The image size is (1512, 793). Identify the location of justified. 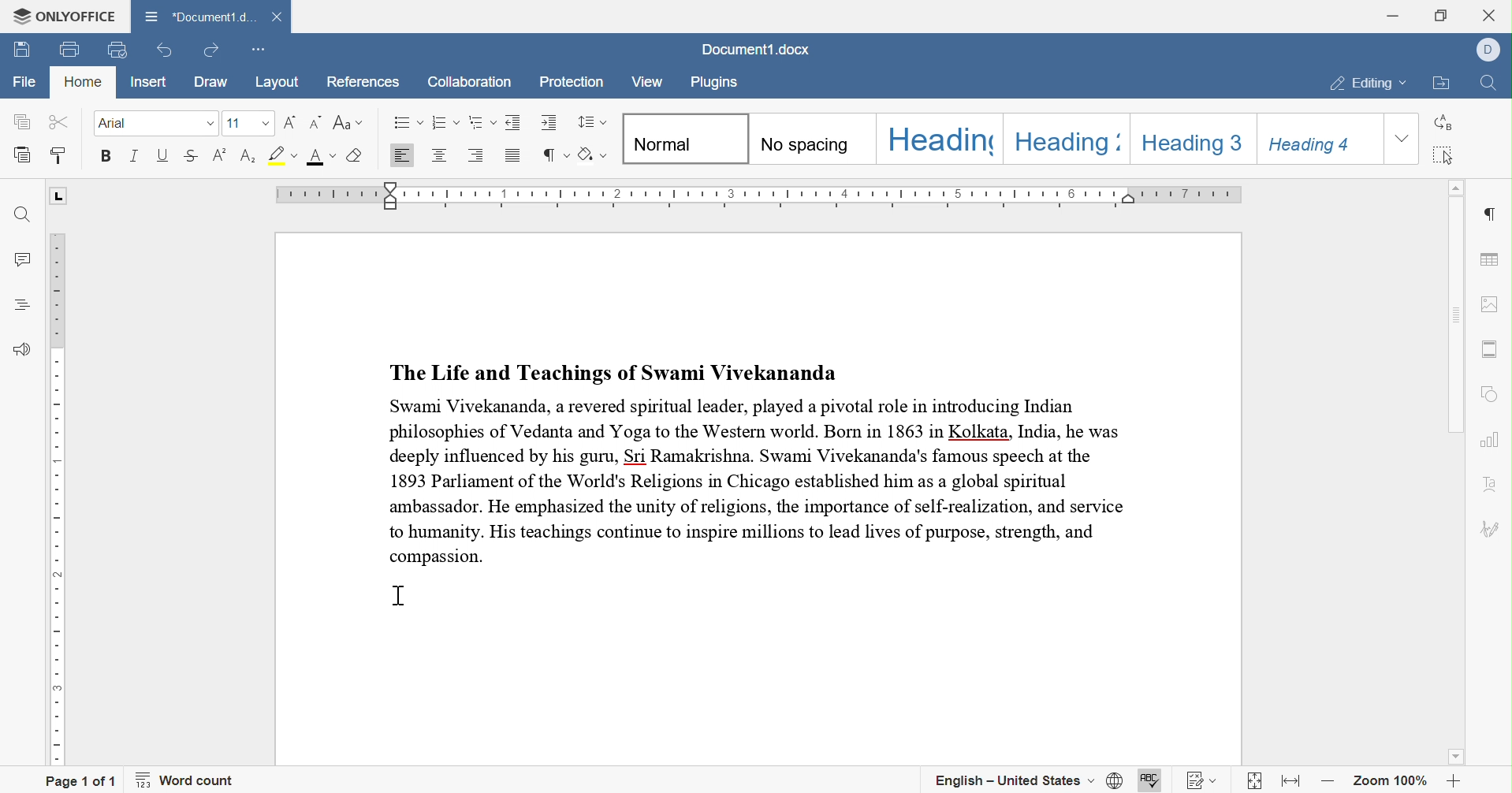
(513, 158).